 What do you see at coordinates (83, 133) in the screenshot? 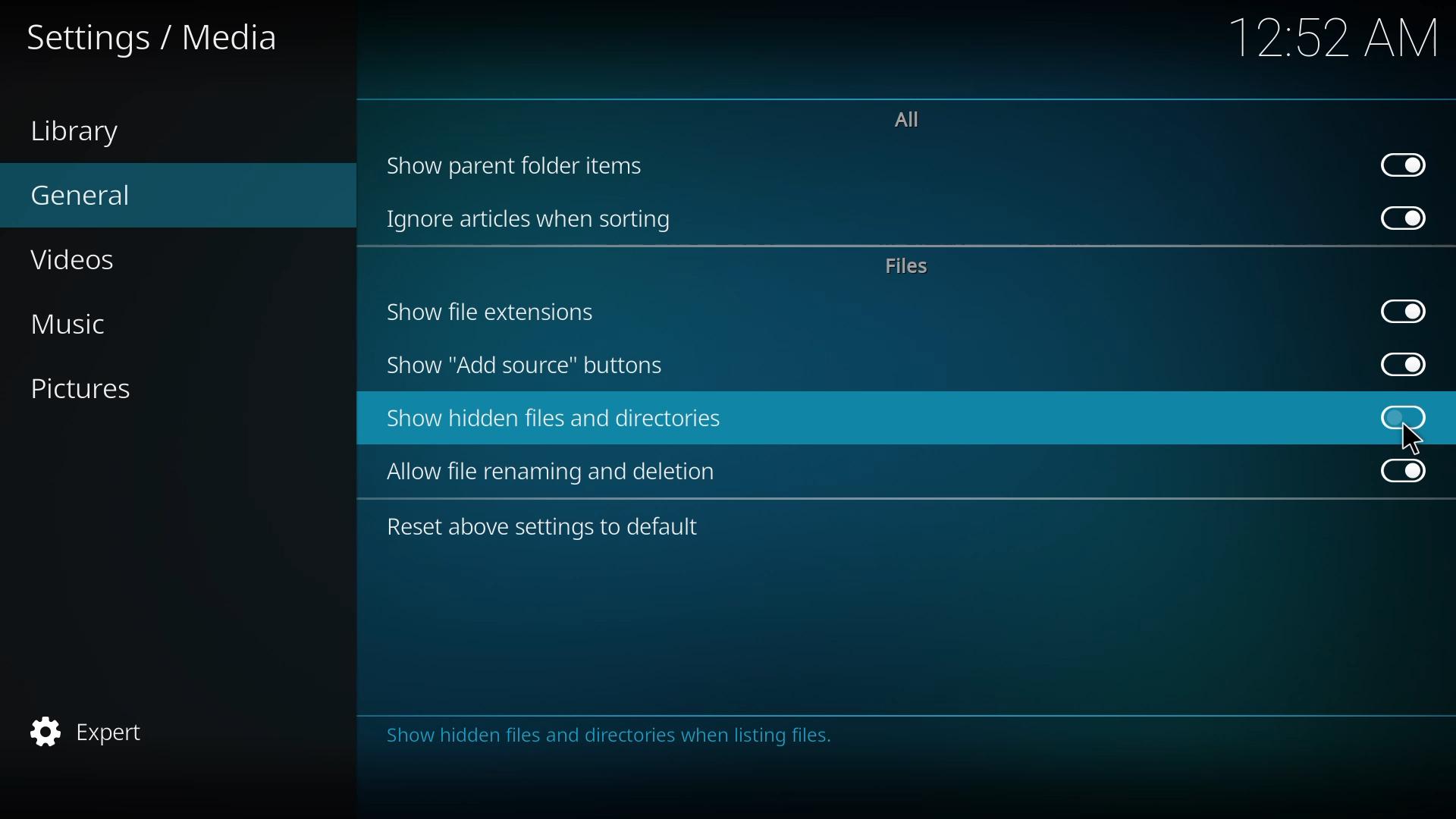
I see `library` at bounding box center [83, 133].